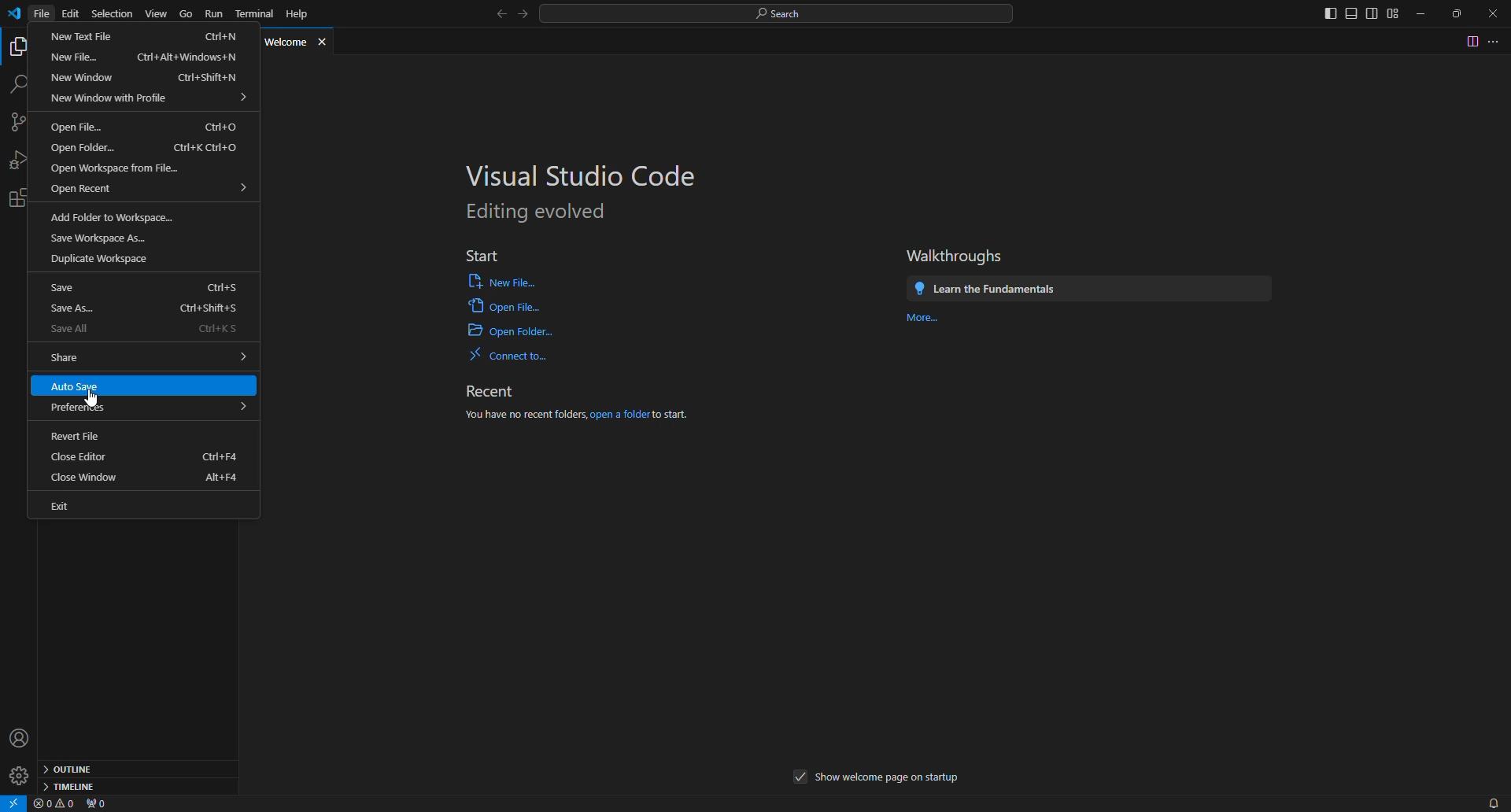 The height and width of the screenshot is (812, 1511). I want to click on when checked this will be showed in startup, so click(801, 777).